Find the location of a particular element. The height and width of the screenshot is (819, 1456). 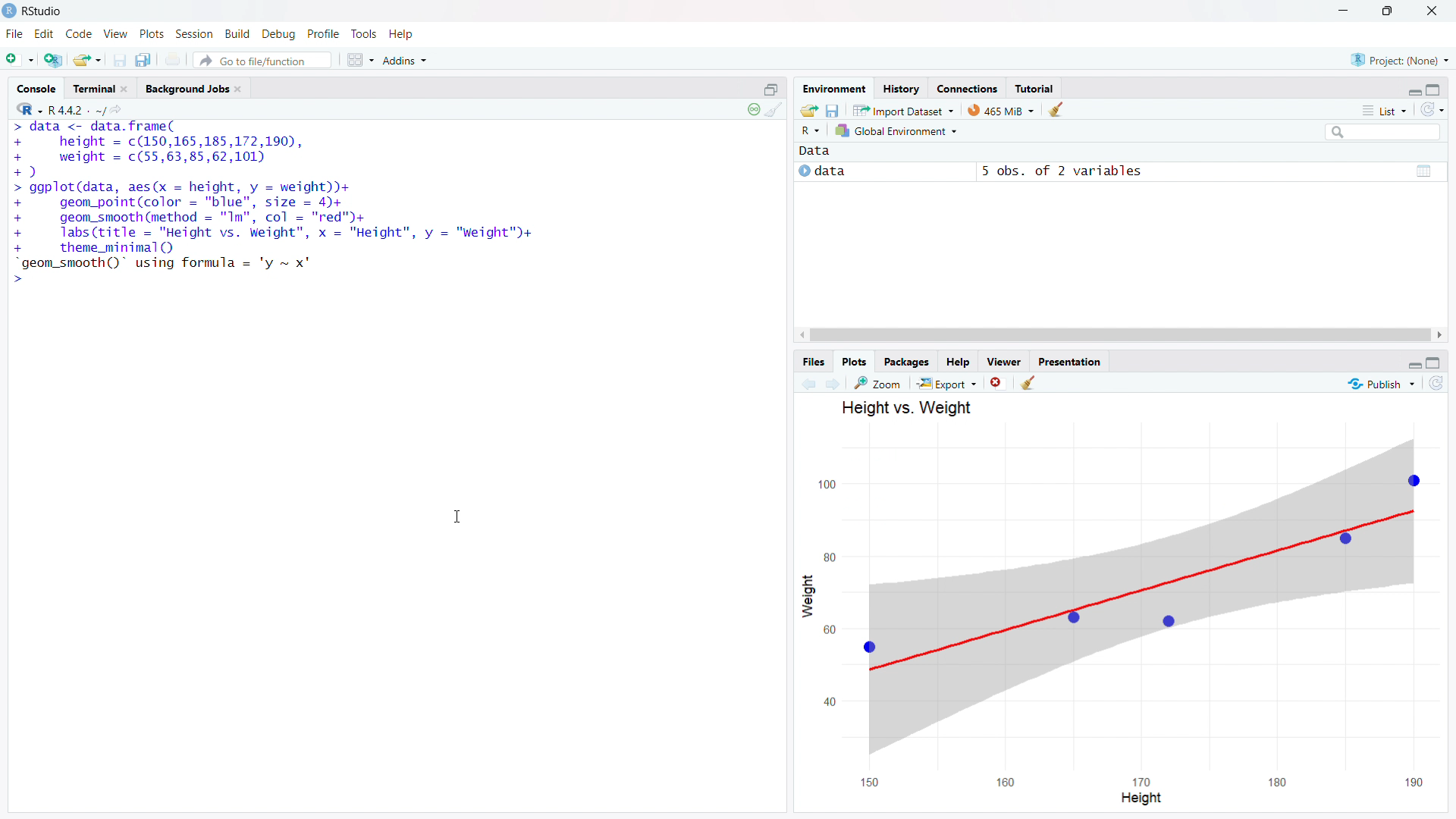

open new console is located at coordinates (771, 88).